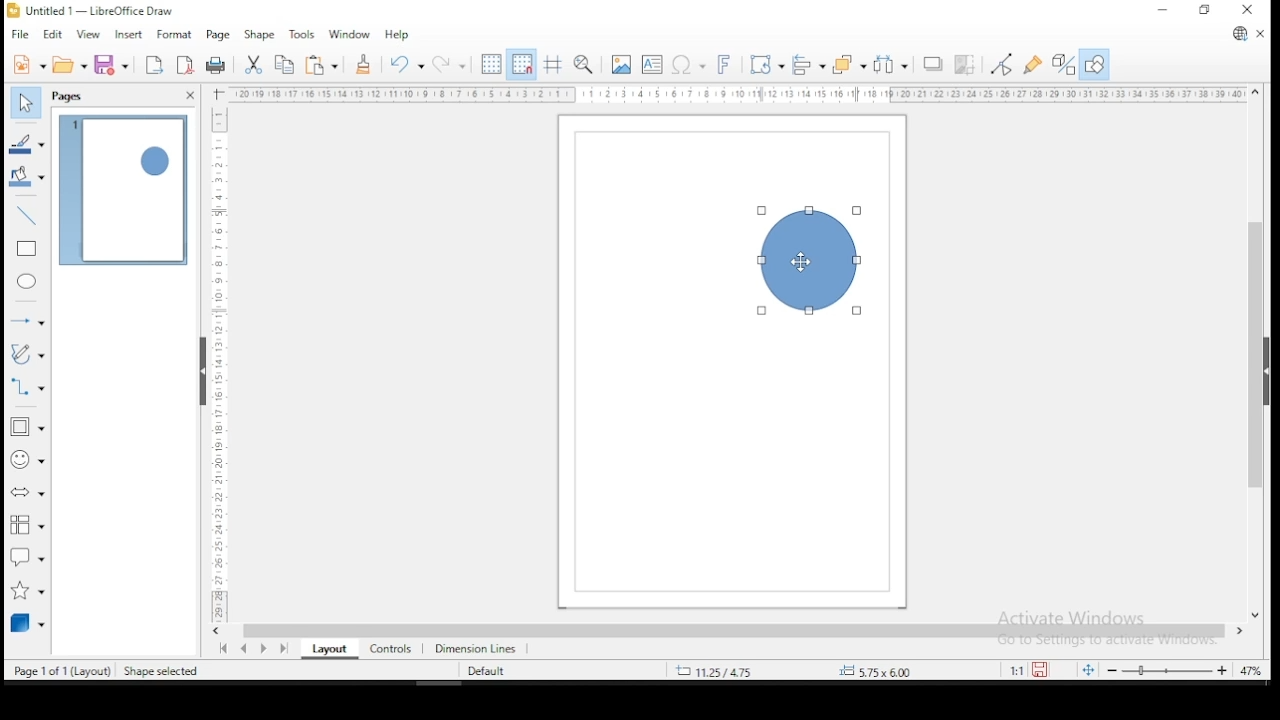 This screenshot has width=1280, height=720. Describe the element at coordinates (933, 65) in the screenshot. I see `shadow` at that location.